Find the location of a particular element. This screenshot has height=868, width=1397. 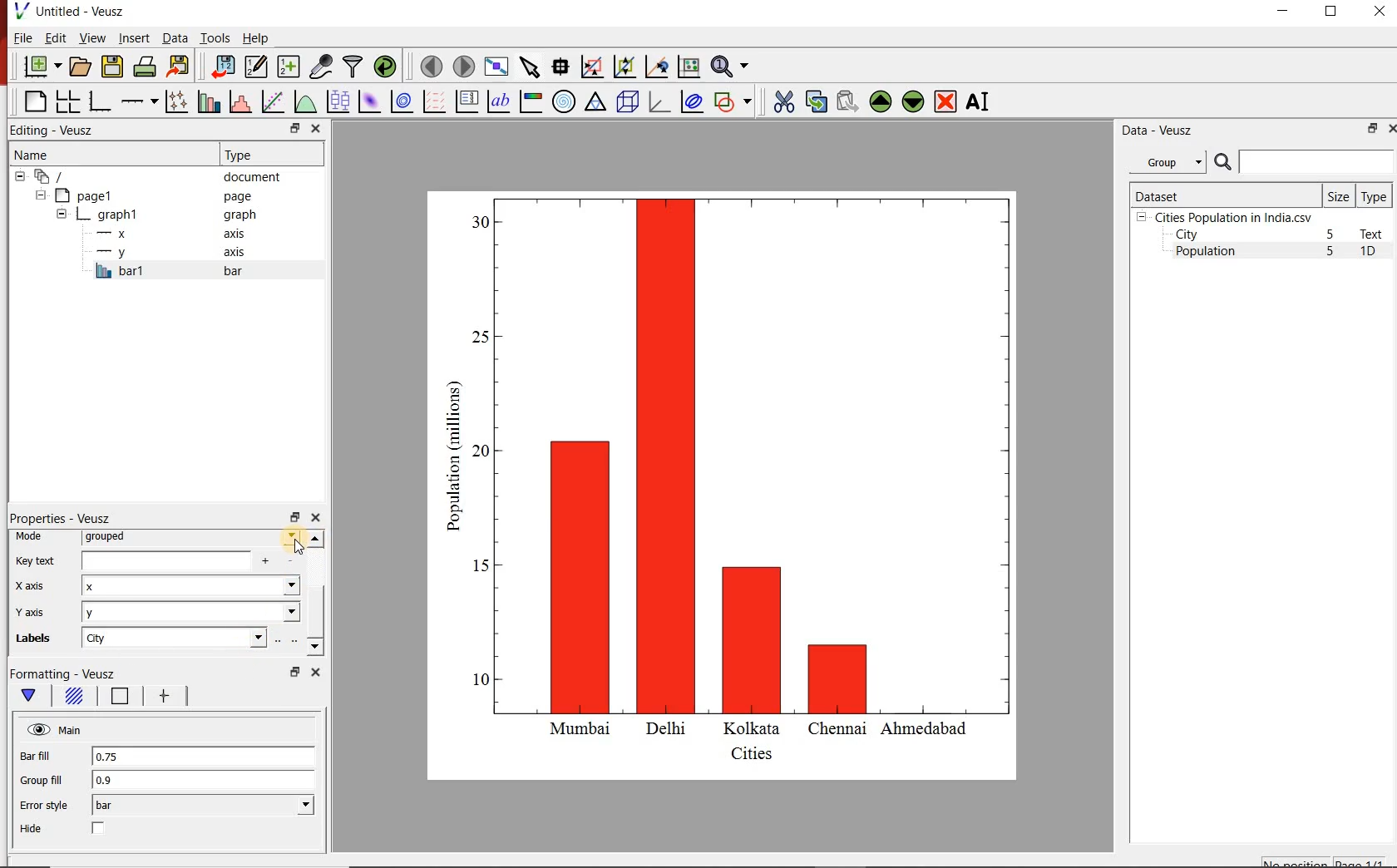

restore is located at coordinates (1373, 128).